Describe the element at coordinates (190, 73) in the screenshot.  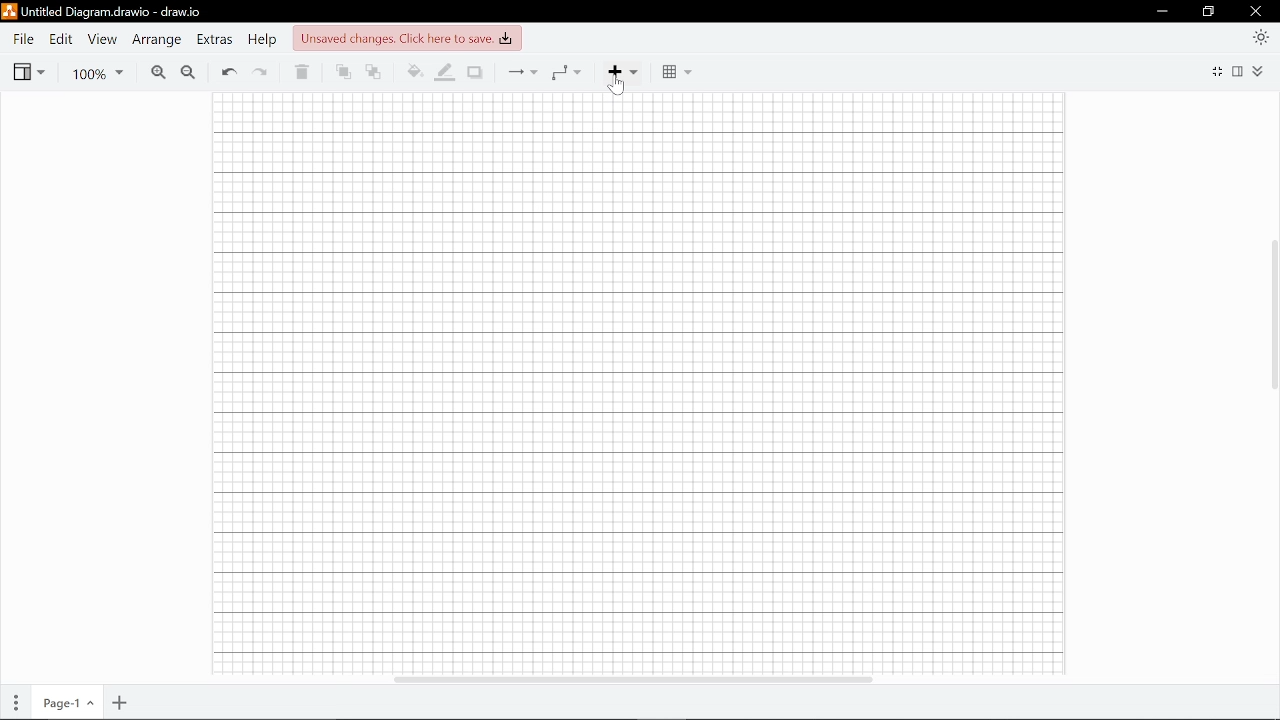
I see `Zoom out` at that location.